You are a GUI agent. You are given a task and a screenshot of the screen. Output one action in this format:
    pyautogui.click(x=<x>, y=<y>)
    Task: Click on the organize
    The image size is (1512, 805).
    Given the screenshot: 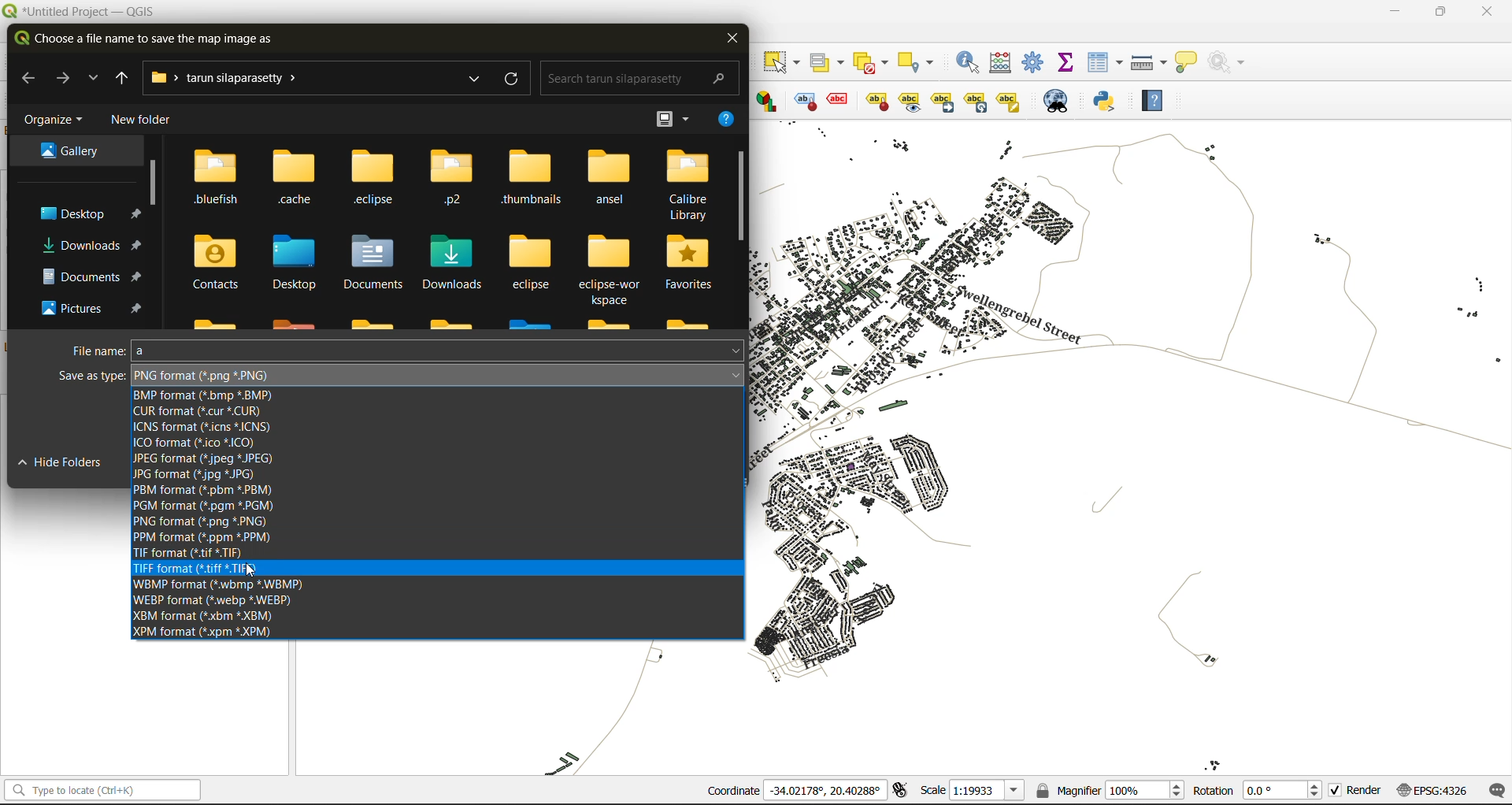 What is the action you would take?
    pyautogui.click(x=55, y=119)
    